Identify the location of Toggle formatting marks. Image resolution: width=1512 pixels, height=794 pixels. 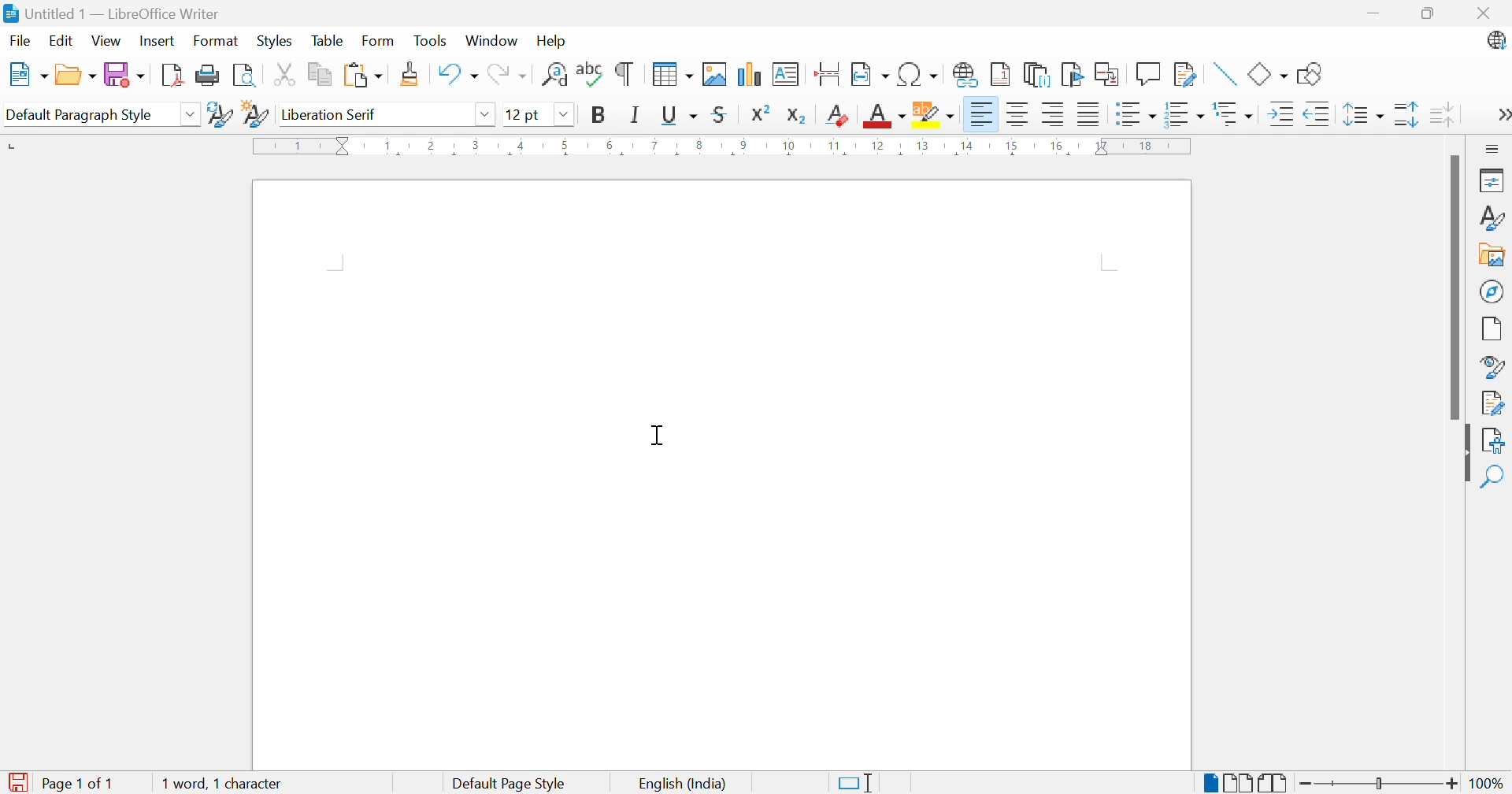
(624, 74).